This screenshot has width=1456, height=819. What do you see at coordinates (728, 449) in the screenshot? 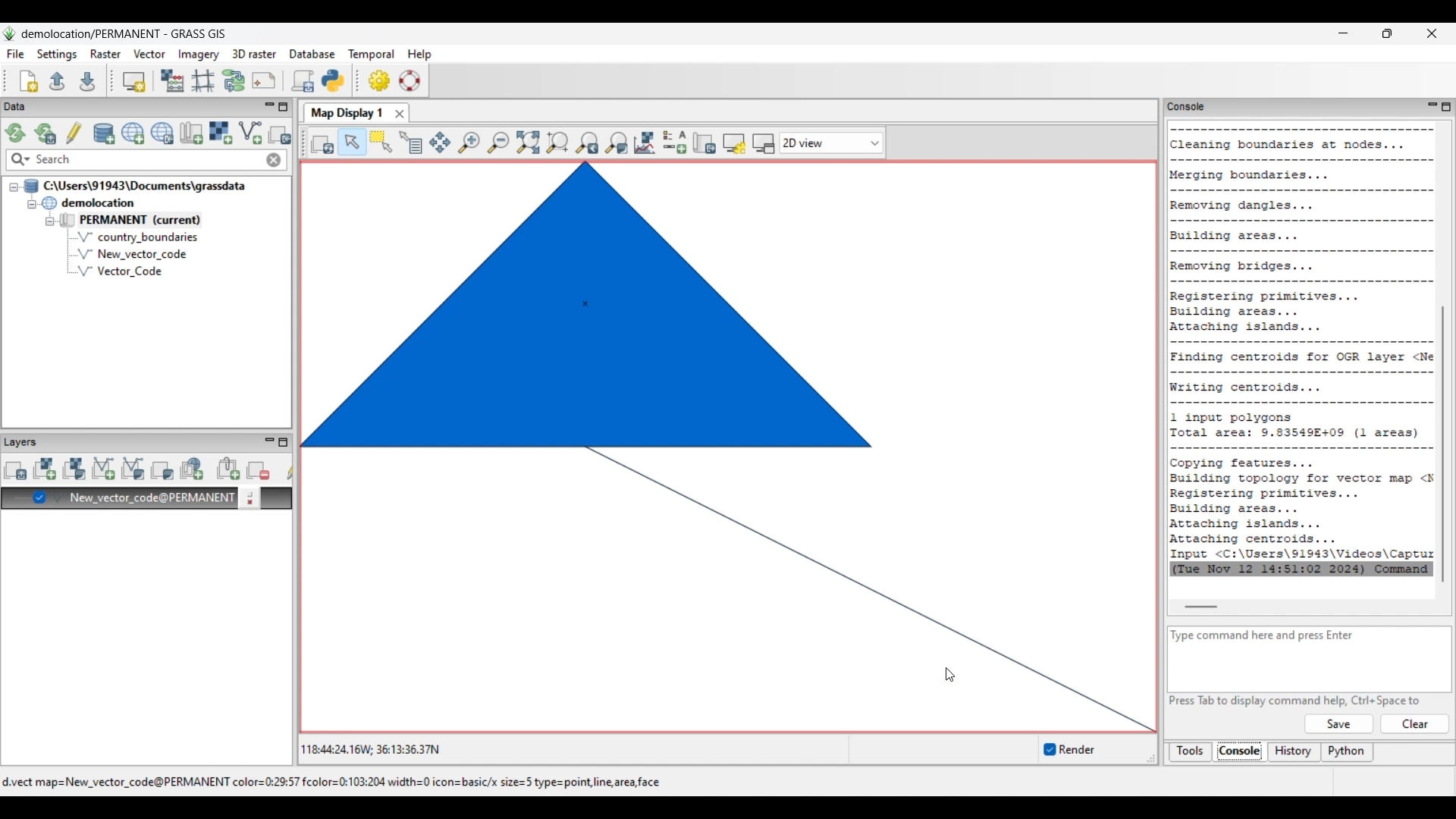
I see `Image of imported vector map` at bounding box center [728, 449].